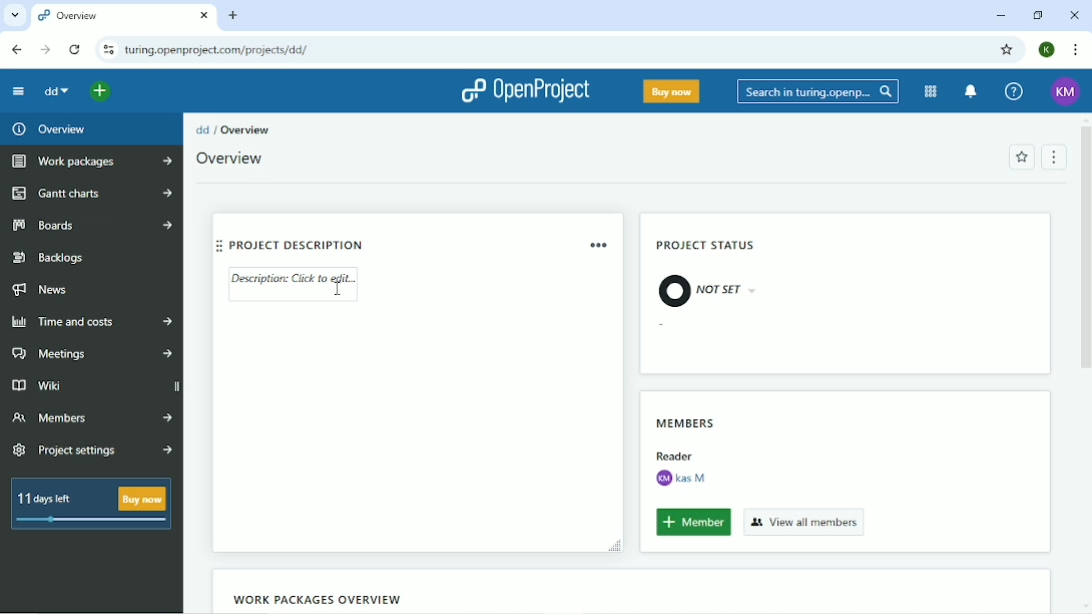 The width and height of the screenshot is (1092, 614). What do you see at coordinates (18, 50) in the screenshot?
I see `Back` at bounding box center [18, 50].